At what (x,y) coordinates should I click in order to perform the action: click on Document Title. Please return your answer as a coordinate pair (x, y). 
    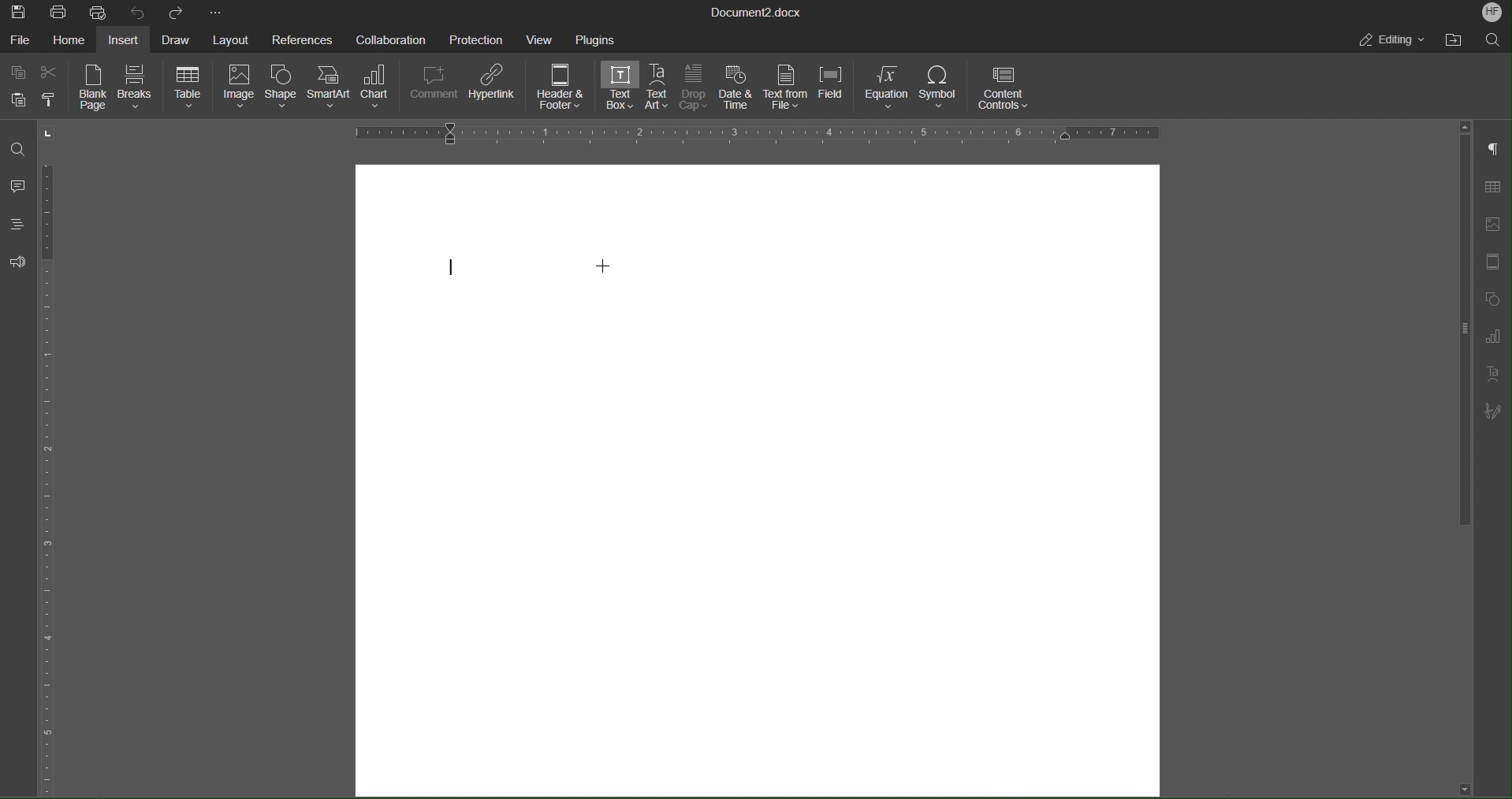
    Looking at the image, I should click on (757, 11).